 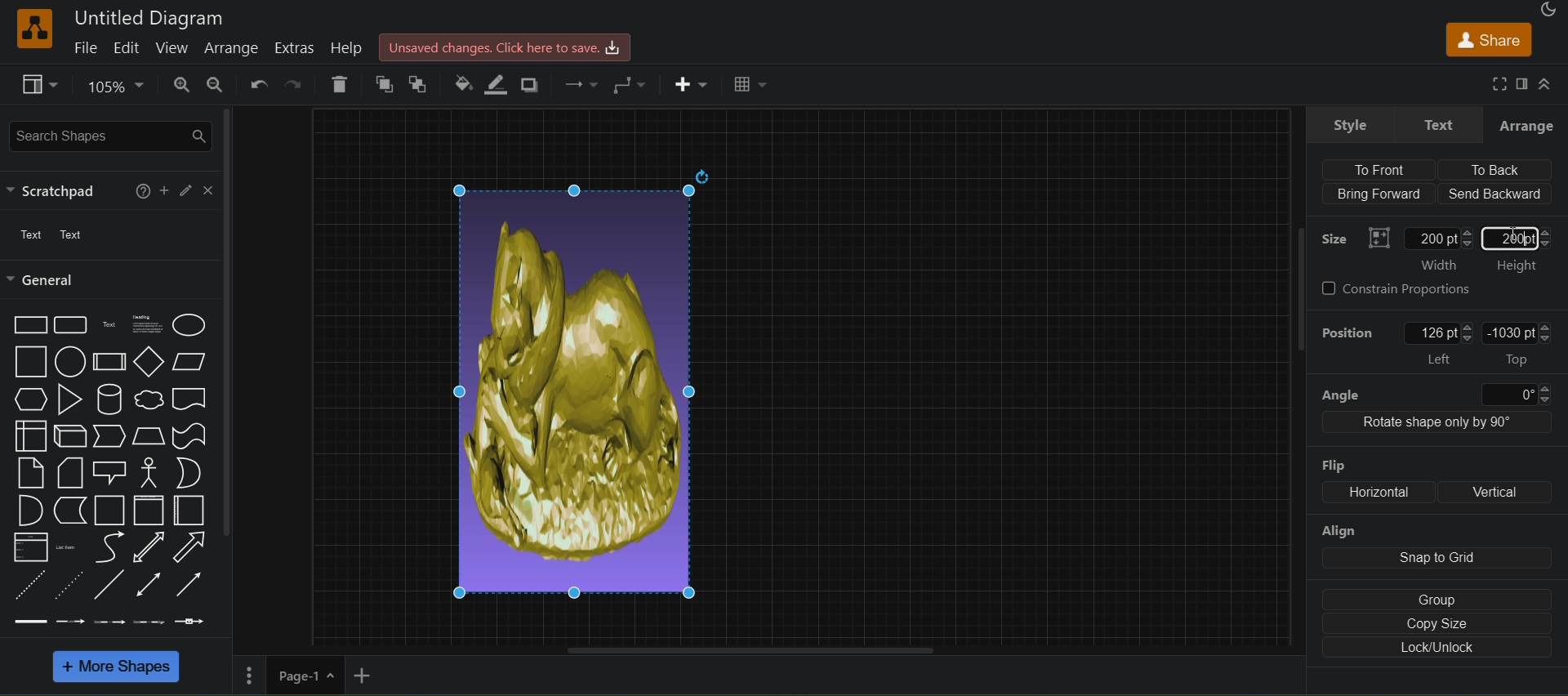 I want to click on more shapes, so click(x=119, y=668).